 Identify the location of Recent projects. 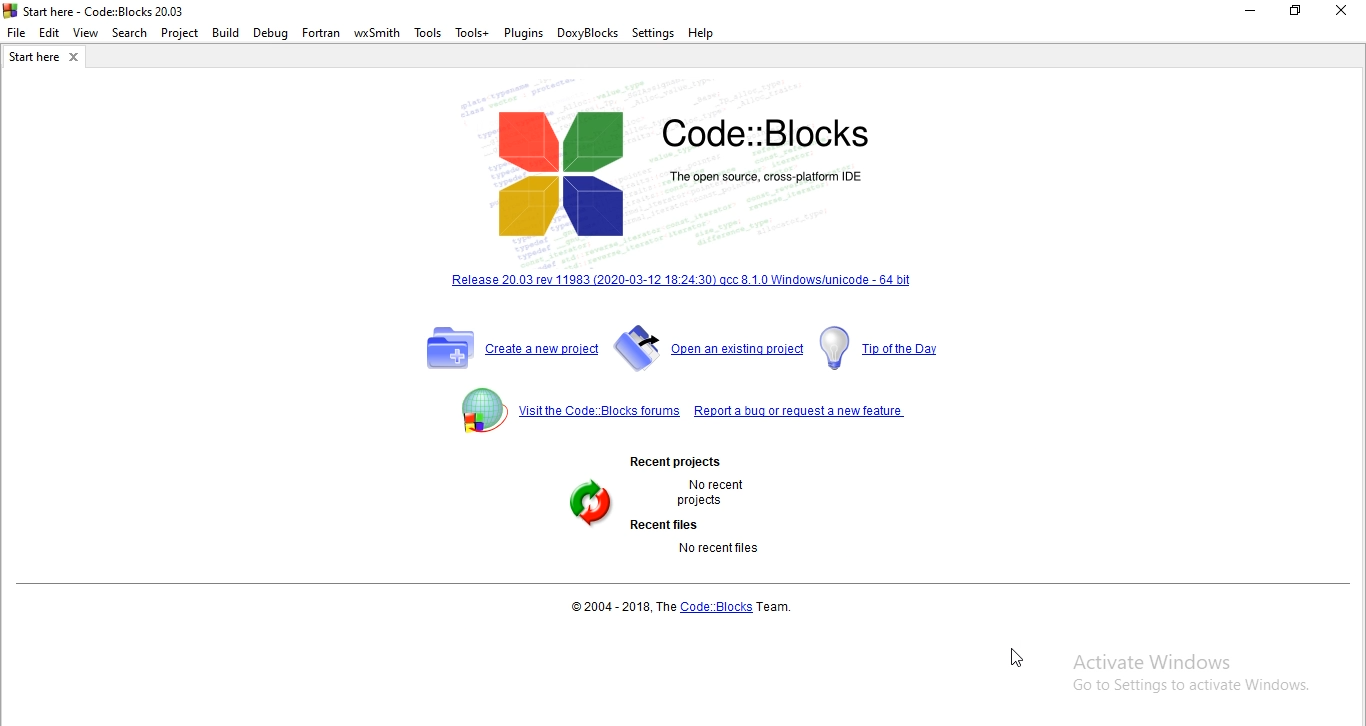
(676, 460).